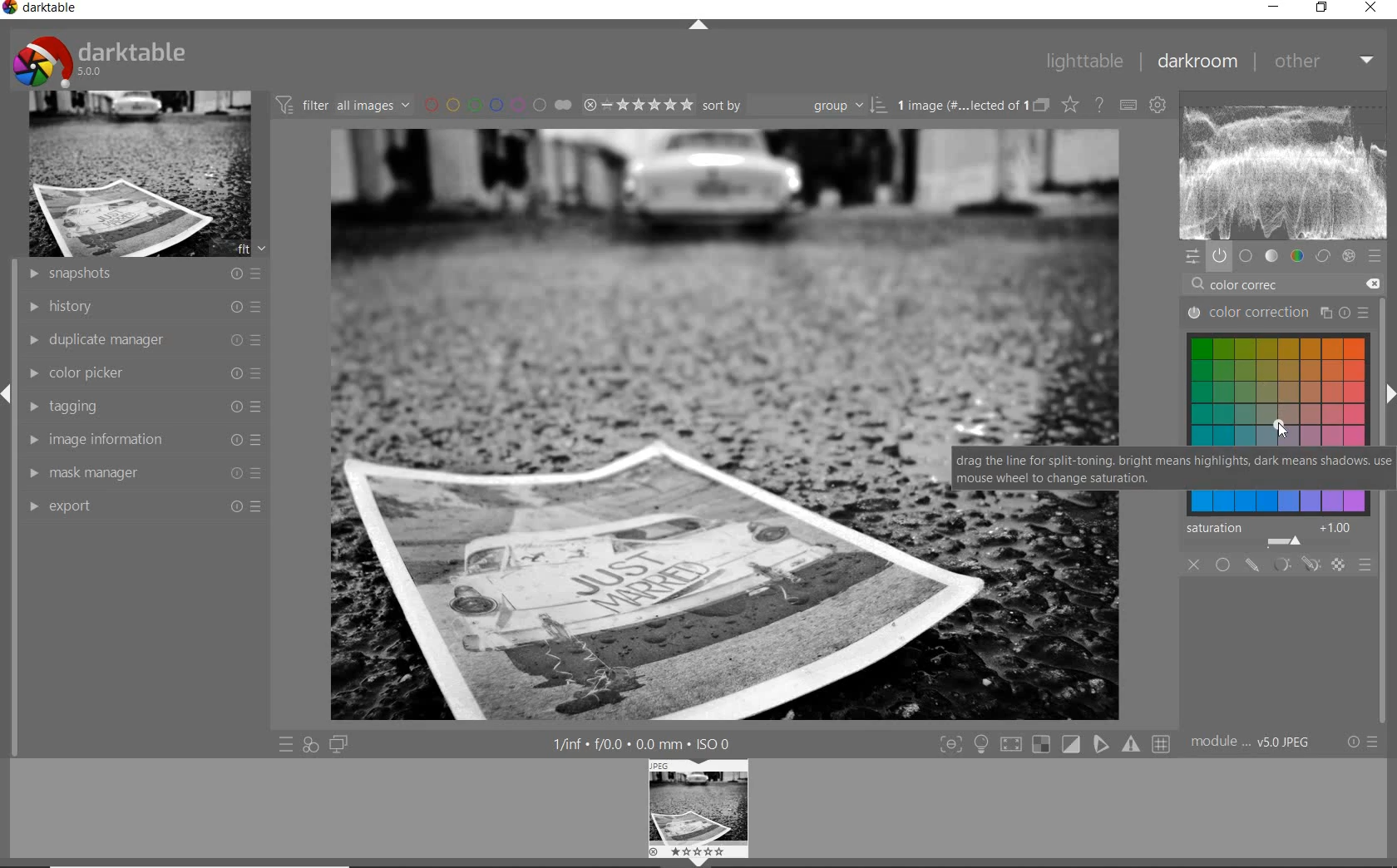 This screenshot has height=868, width=1397. I want to click on expand/collapse, so click(698, 27).